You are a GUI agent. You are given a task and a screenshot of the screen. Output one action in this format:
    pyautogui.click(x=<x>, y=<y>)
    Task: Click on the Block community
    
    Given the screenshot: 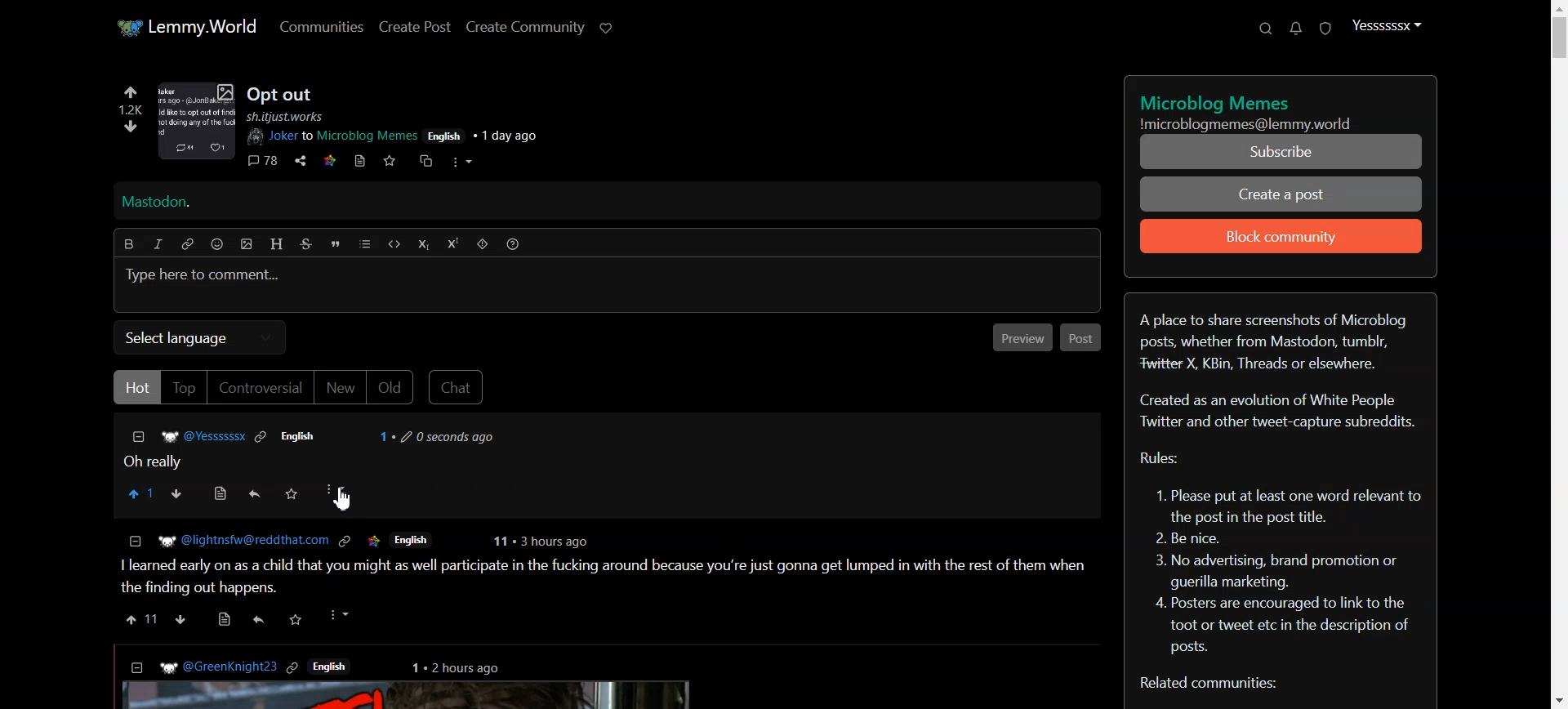 What is the action you would take?
    pyautogui.click(x=1281, y=236)
    